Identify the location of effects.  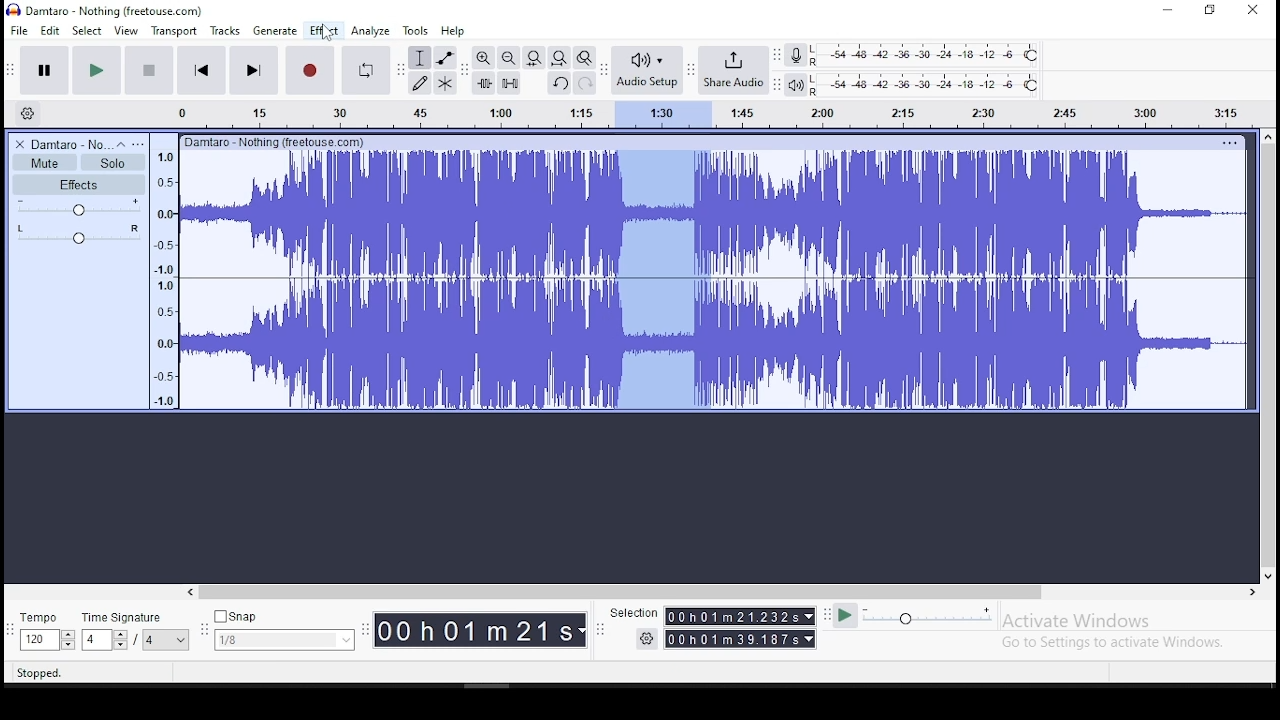
(79, 184).